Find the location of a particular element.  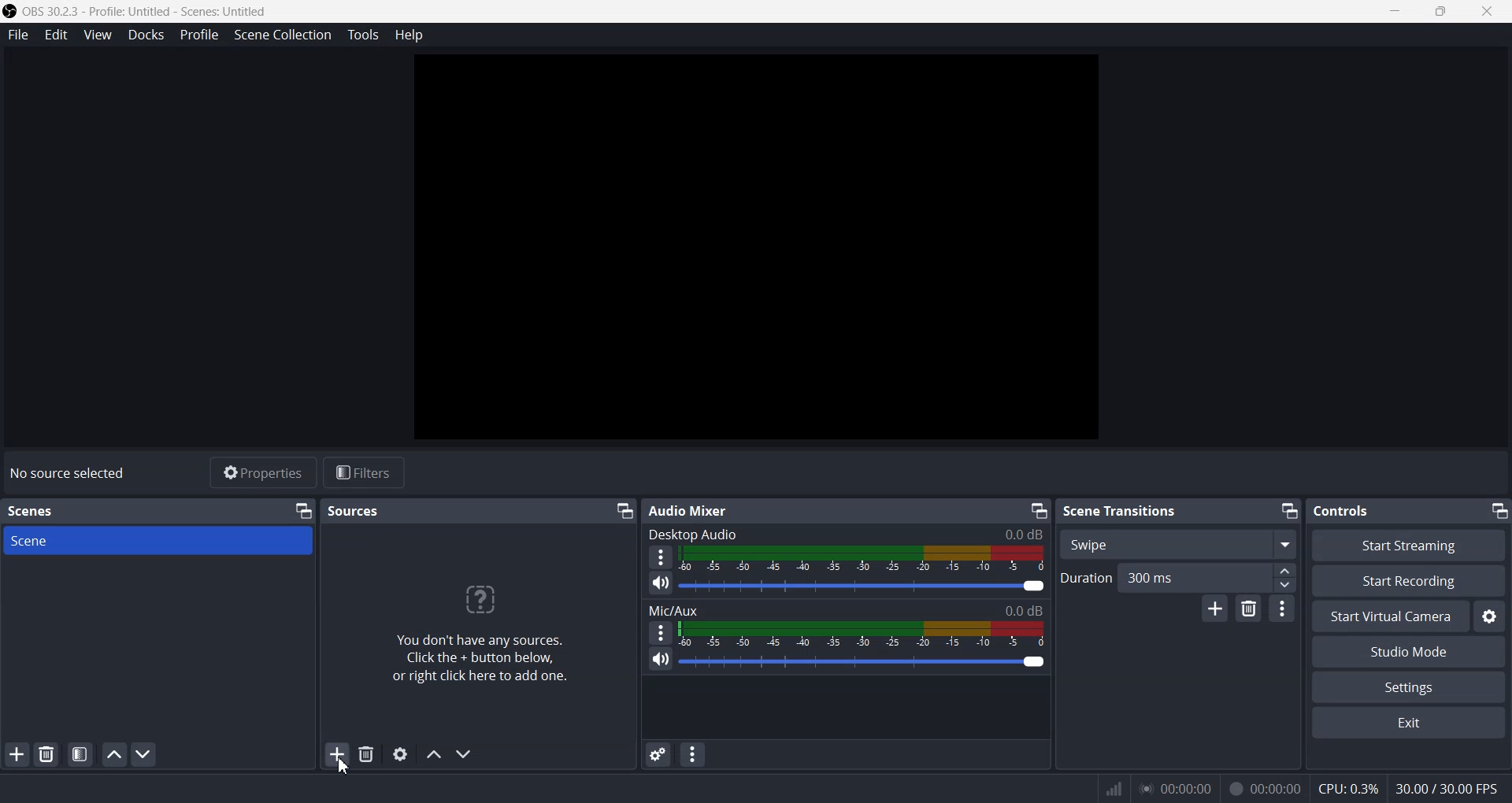

Scene is located at coordinates (158, 540).